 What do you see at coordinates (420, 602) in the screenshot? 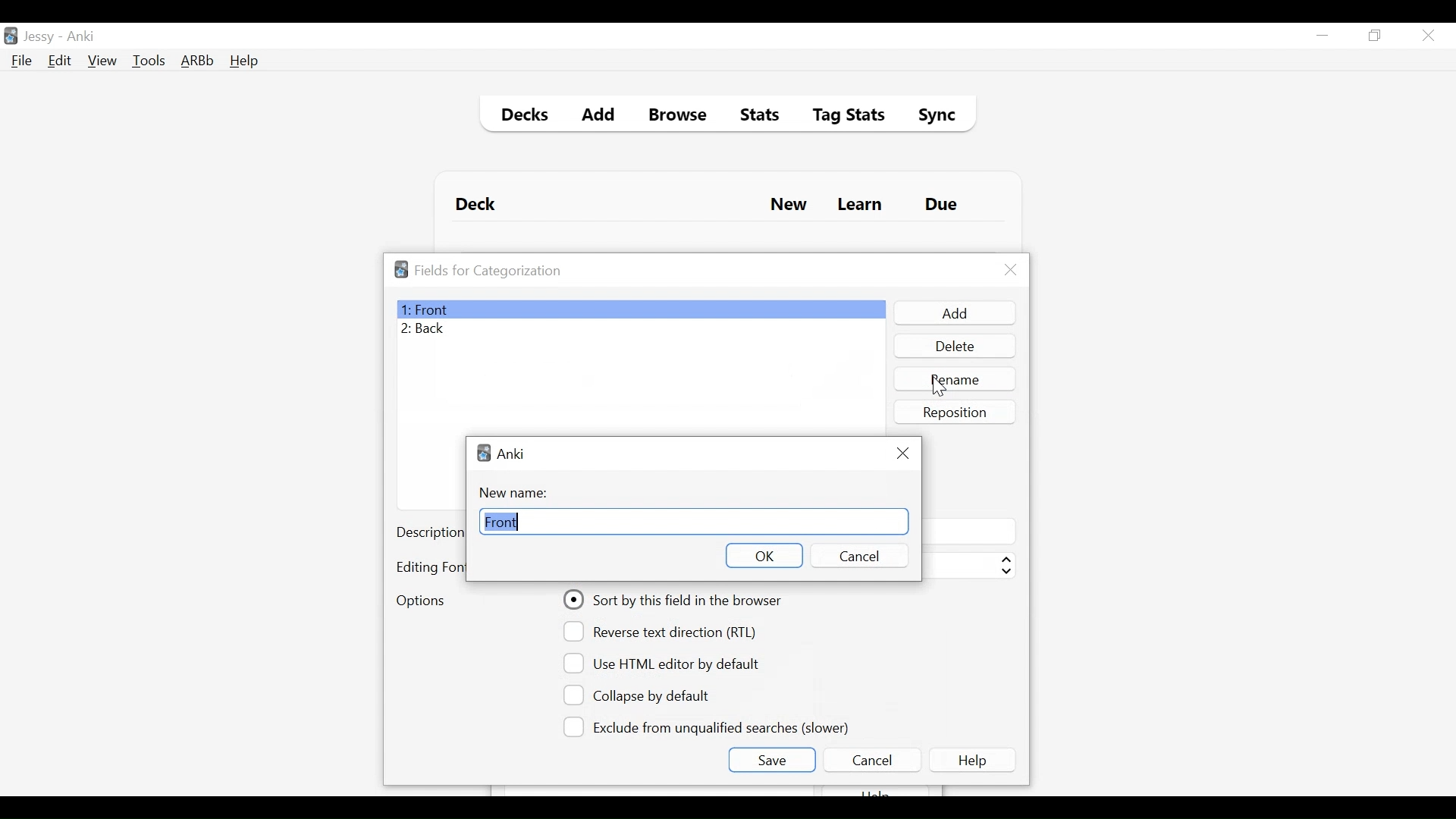
I see `Options` at bounding box center [420, 602].